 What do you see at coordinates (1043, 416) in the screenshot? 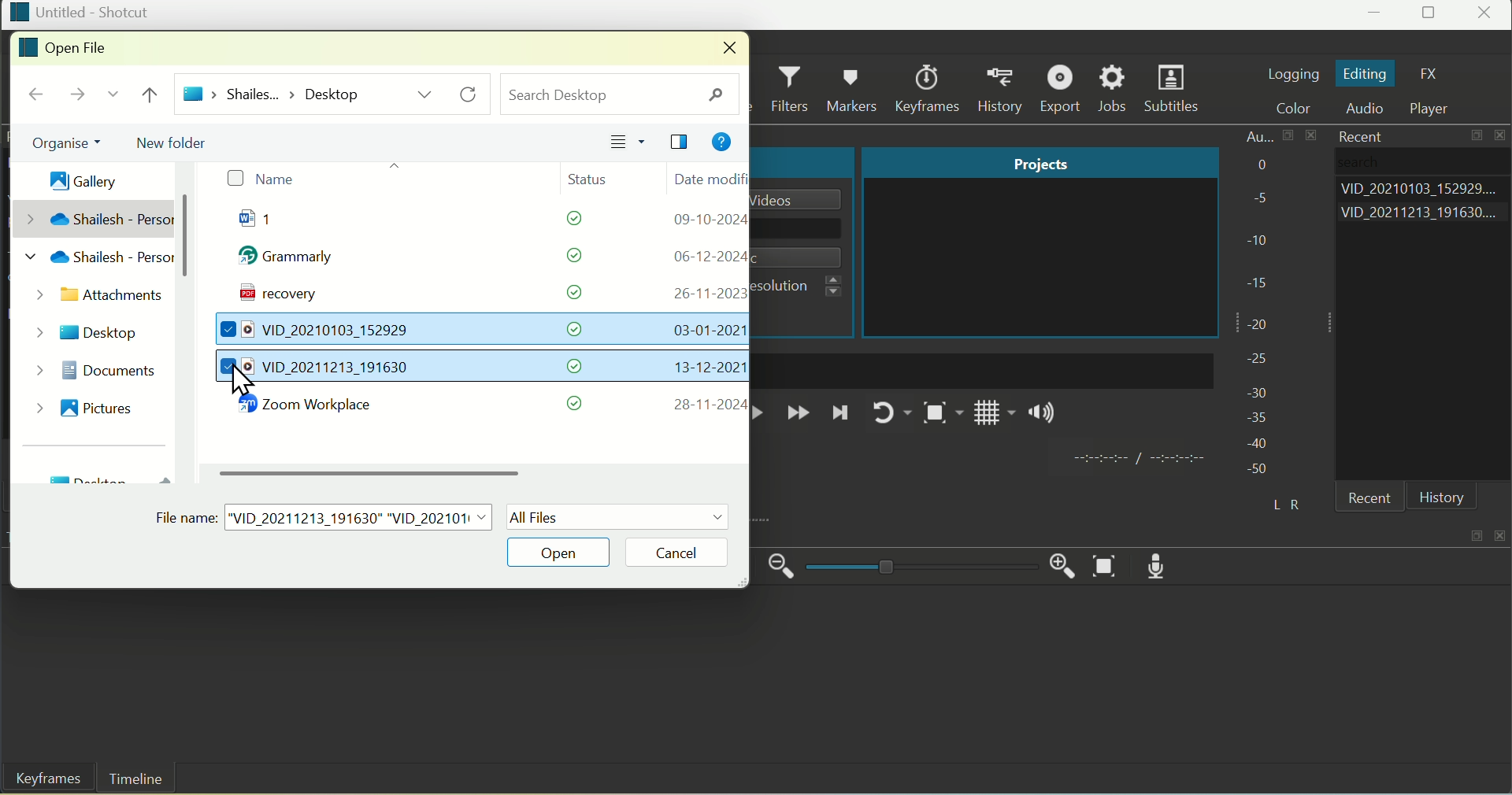
I see `Sound` at bounding box center [1043, 416].